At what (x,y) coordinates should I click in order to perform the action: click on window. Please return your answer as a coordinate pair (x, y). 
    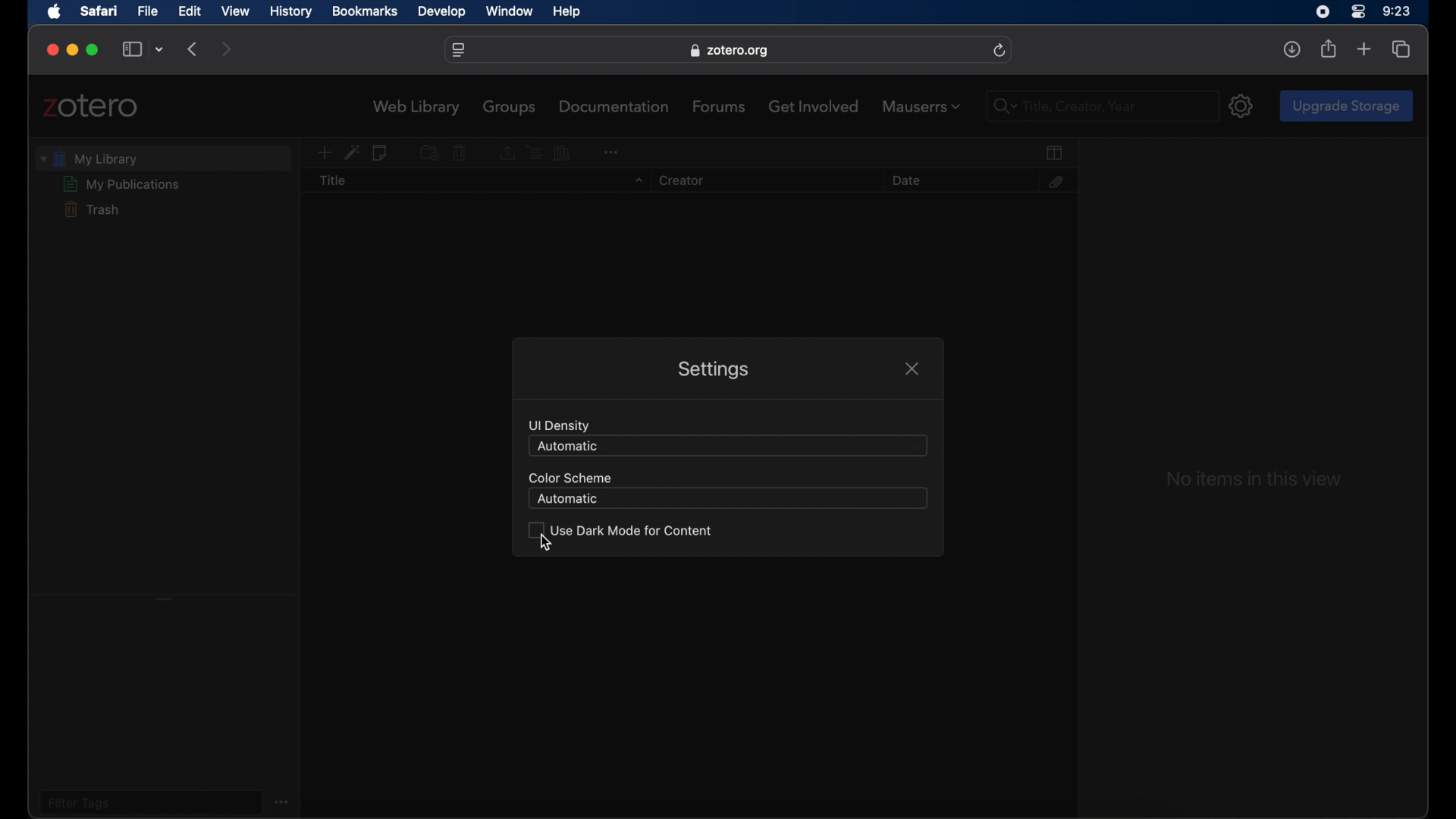
    Looking at the image, I should click on (511, 12).